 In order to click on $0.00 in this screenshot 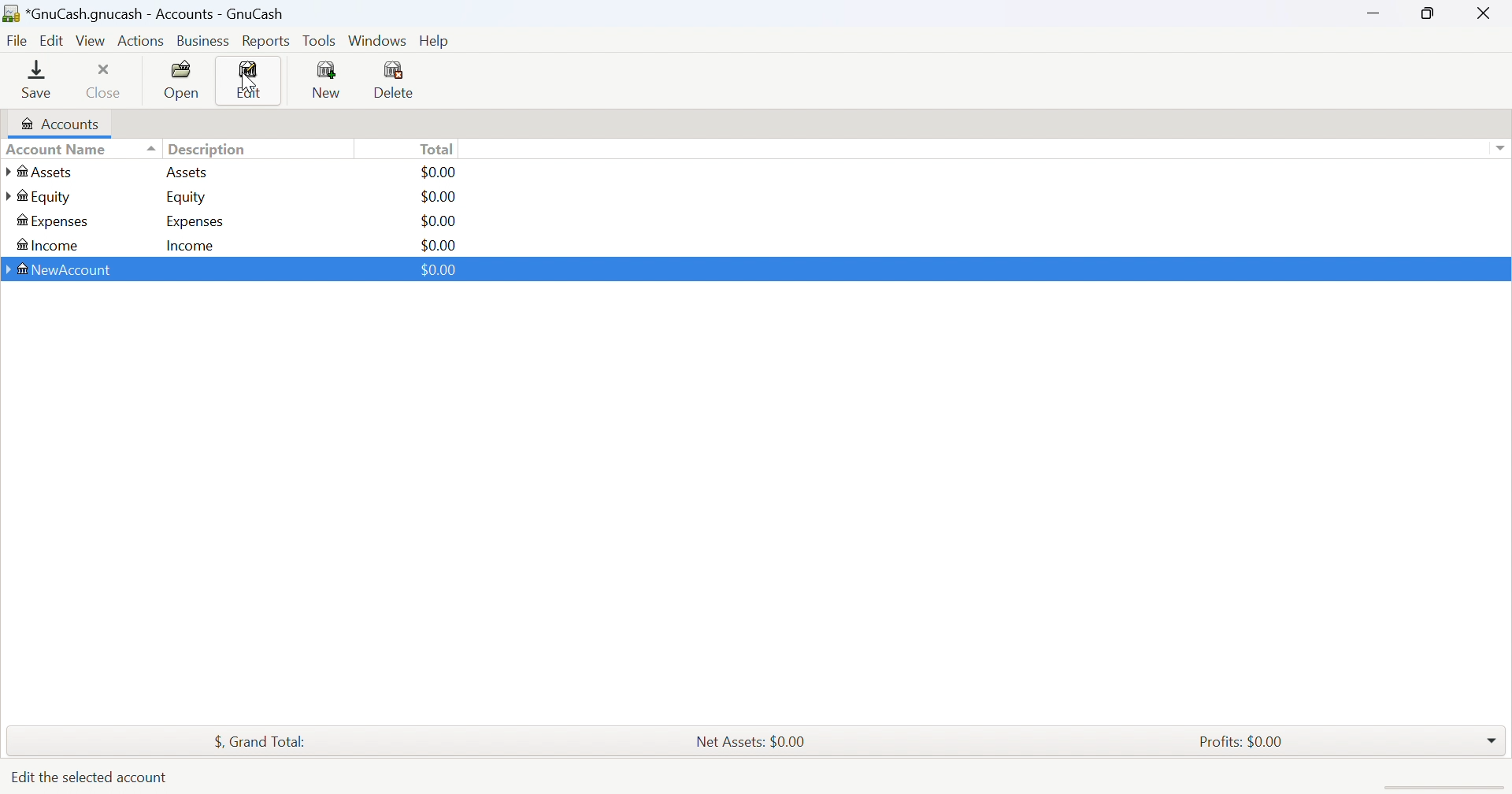, I will do `click(439, 270)`.